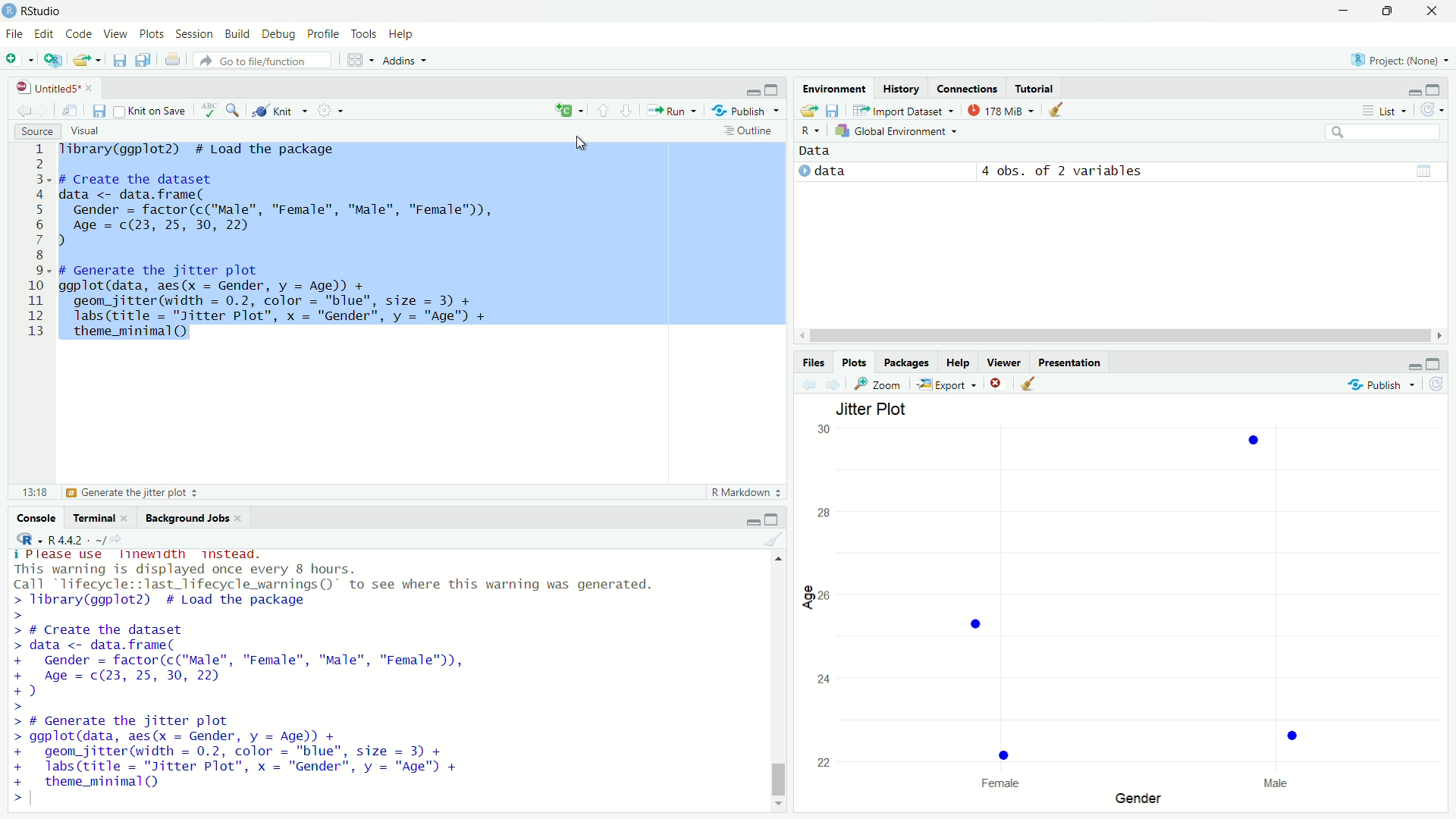 The image size is (1456, 819). What do you see at coordinates (209, 111) in the screenshot?
I see `spell check` at bounding box center [209, 111].